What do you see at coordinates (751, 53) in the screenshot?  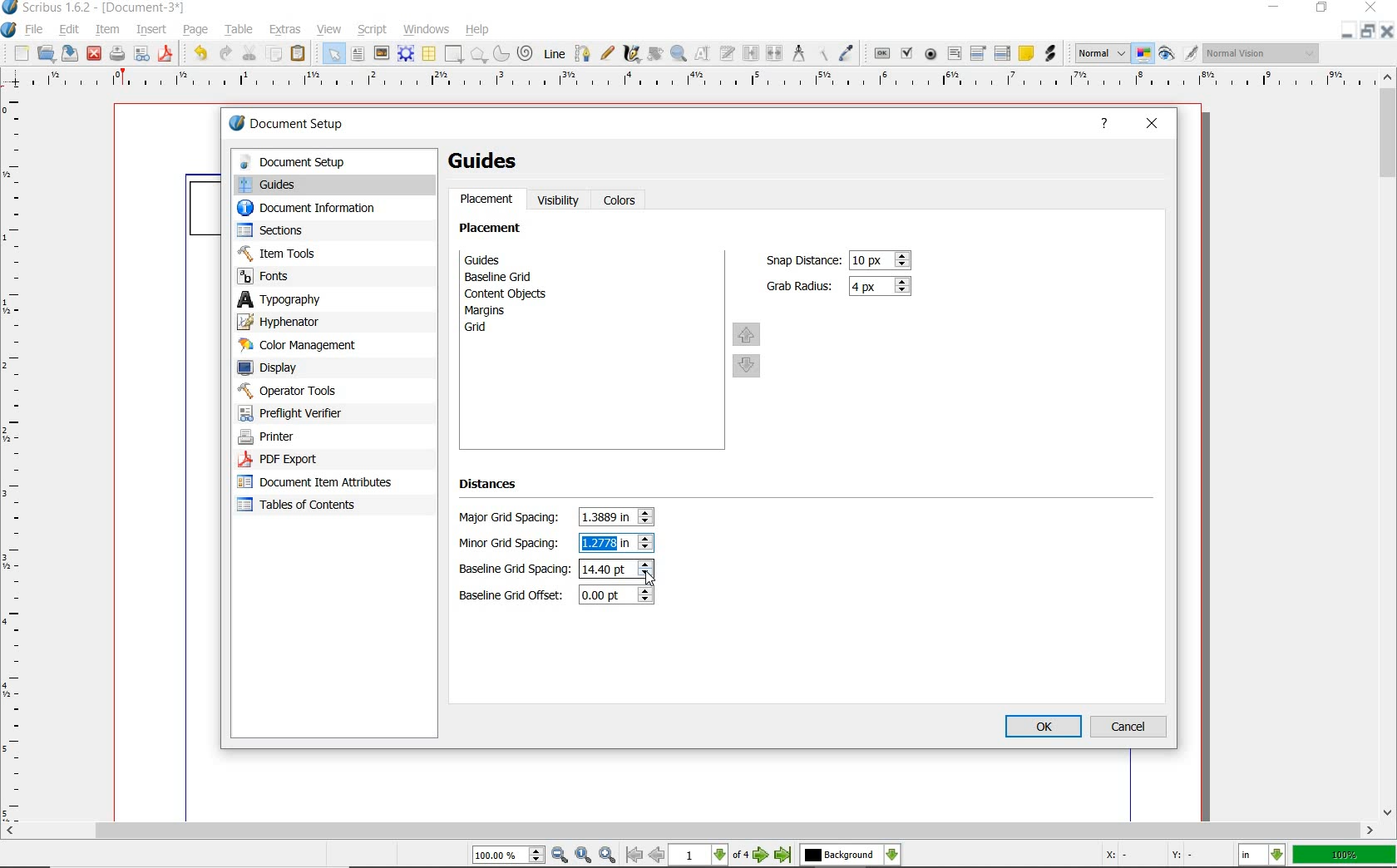 I see `link text frames` at bounding box center [751, 53].